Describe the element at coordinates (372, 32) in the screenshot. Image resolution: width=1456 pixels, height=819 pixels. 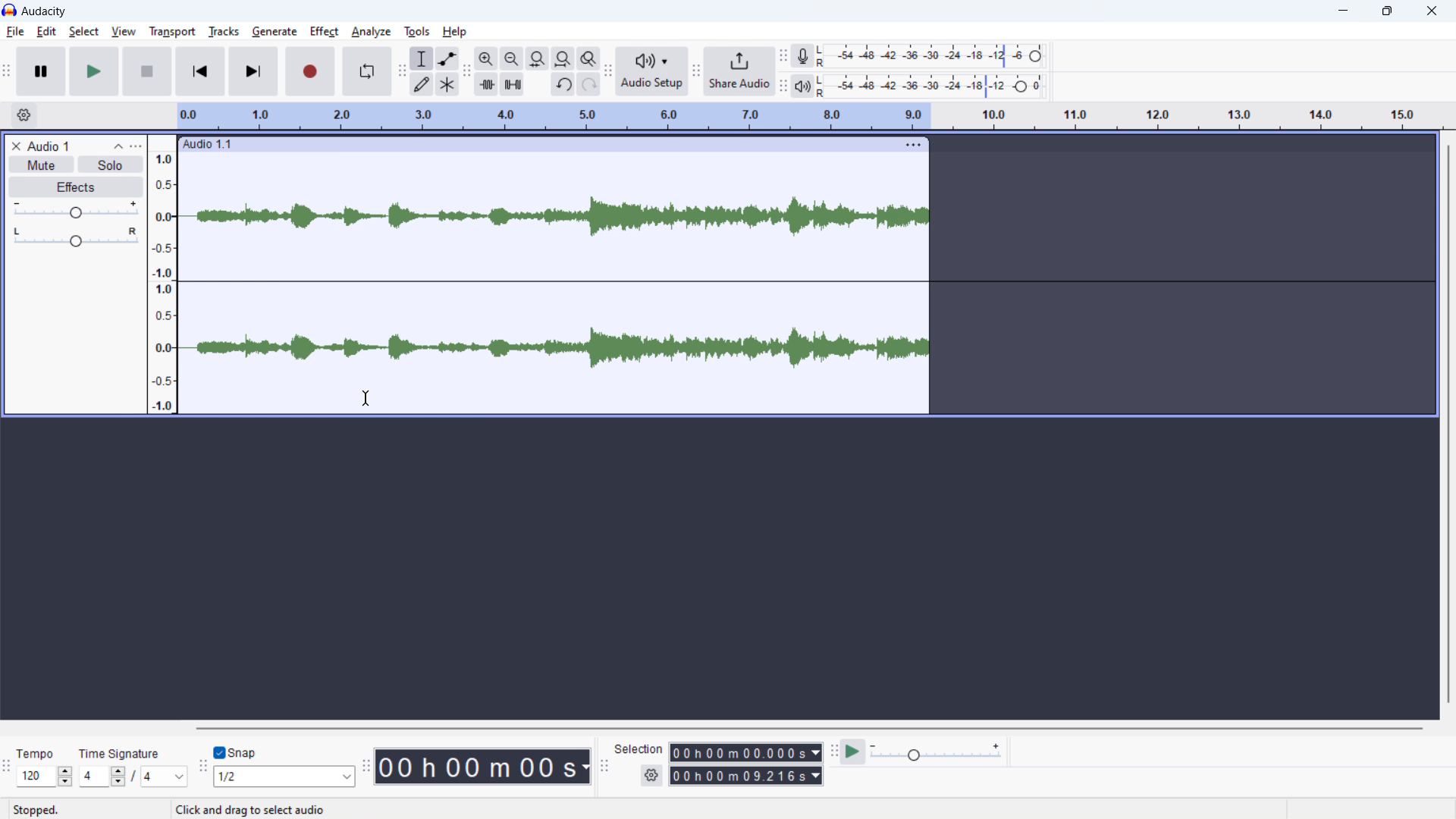
I see `analyze` at that location.